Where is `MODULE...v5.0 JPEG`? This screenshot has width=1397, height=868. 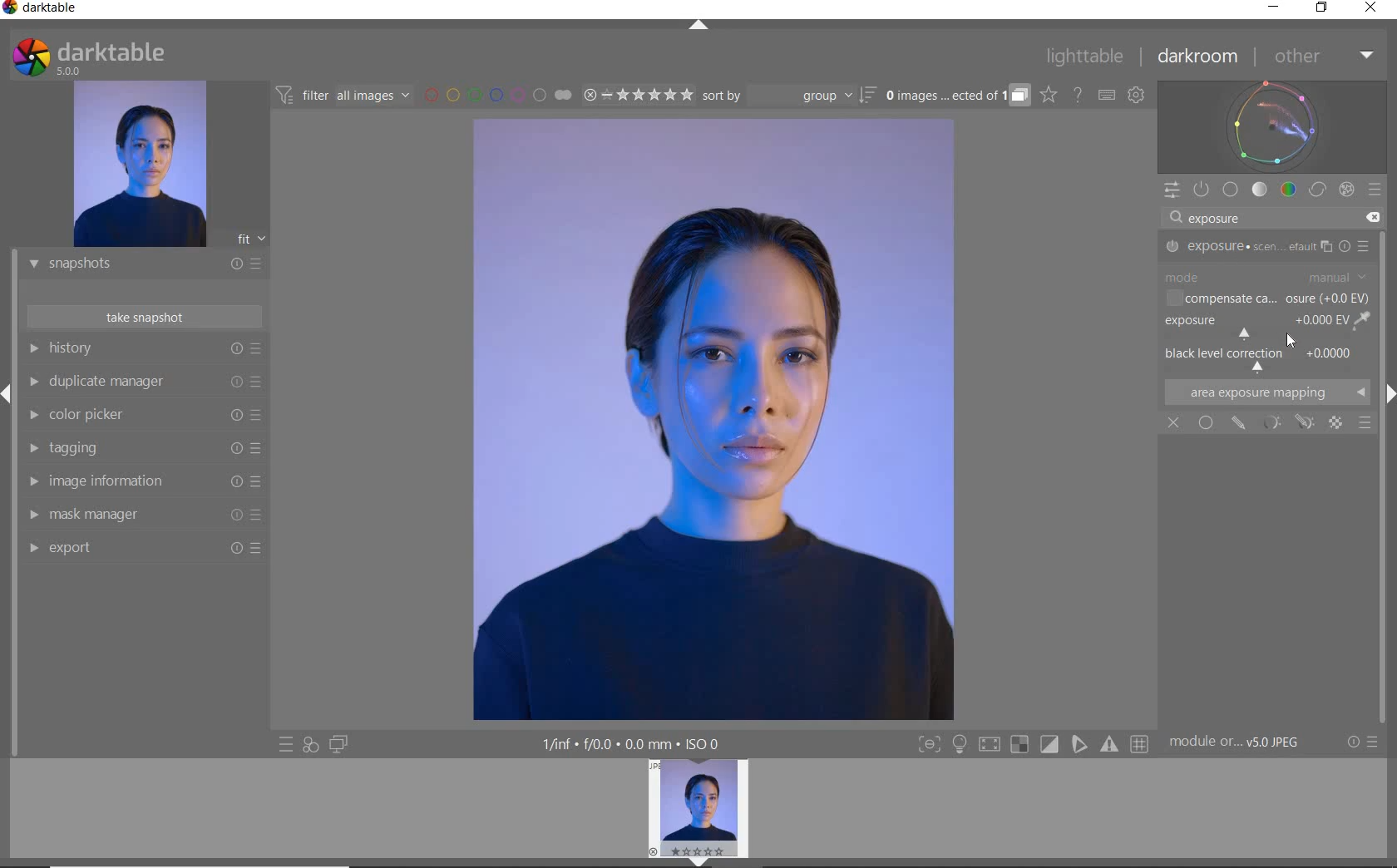
MODULE...v5.0 JPEG is located at coordinates (1246, 742).